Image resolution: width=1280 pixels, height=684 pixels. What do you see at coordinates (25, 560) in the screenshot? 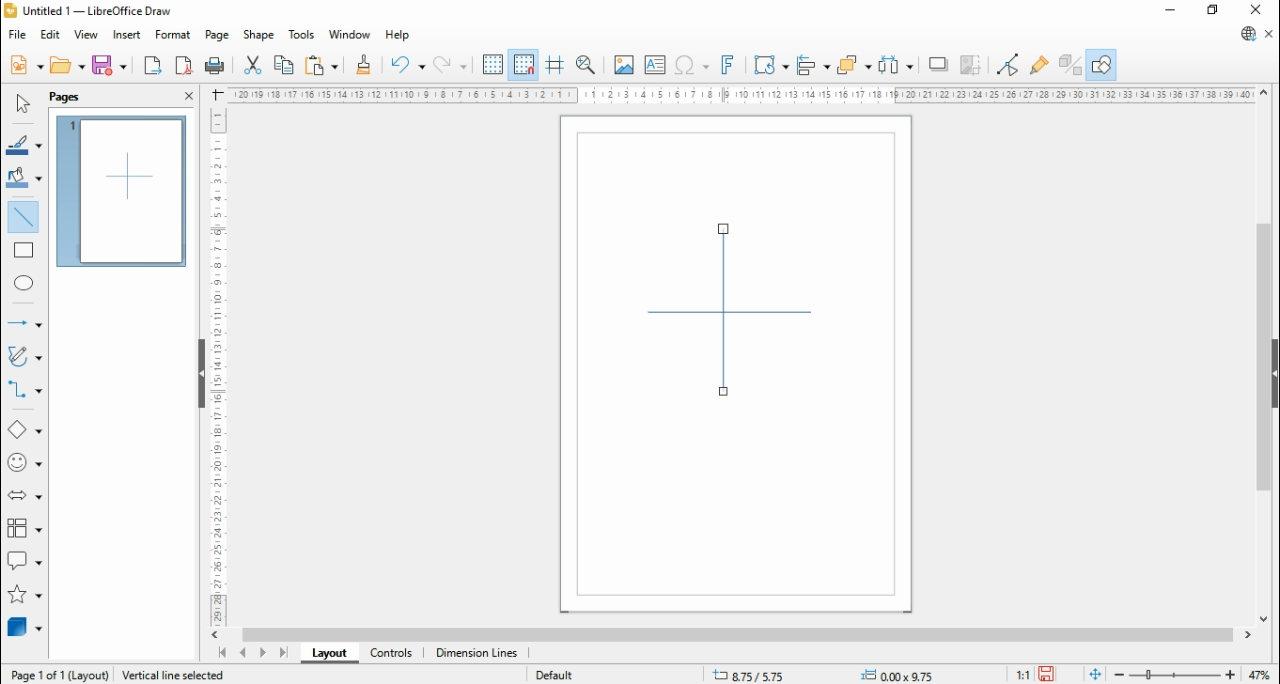
I see `callout shapes` at bounding box center [25, 560].